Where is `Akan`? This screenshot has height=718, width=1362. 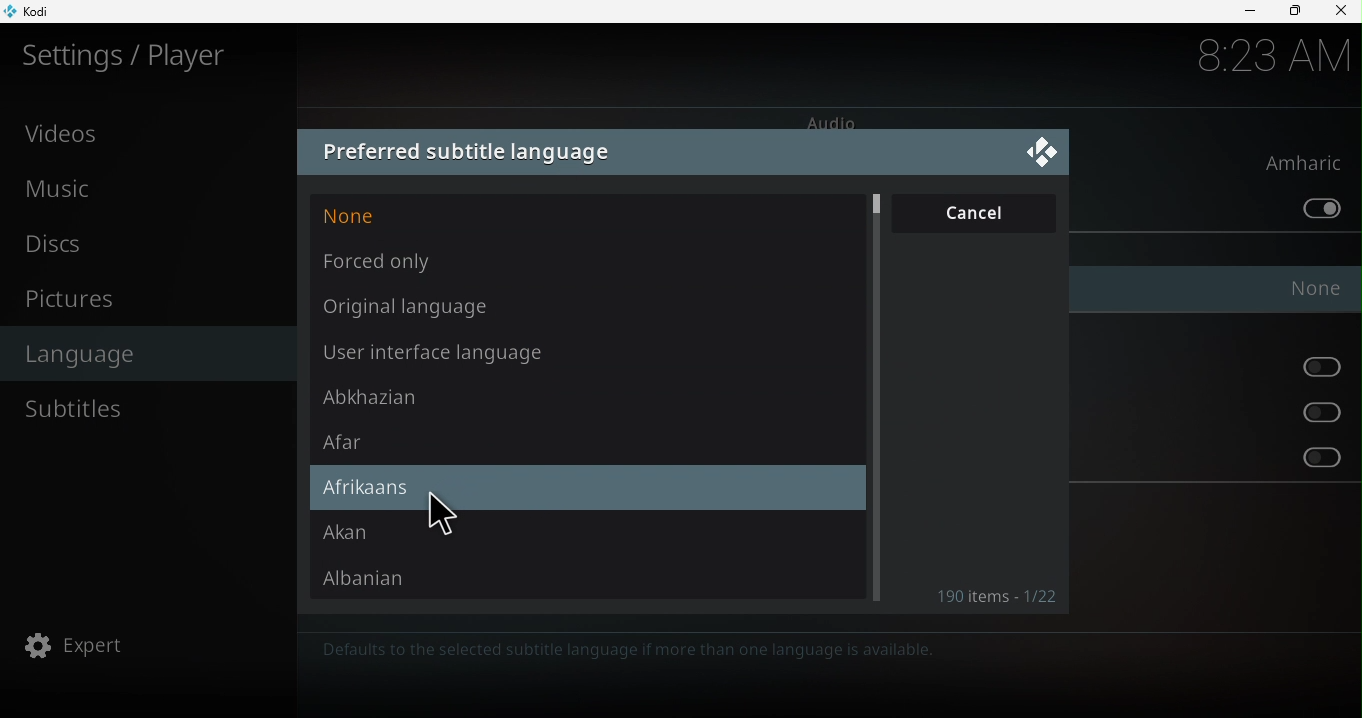 Akan is located at coordinates (587, 532).